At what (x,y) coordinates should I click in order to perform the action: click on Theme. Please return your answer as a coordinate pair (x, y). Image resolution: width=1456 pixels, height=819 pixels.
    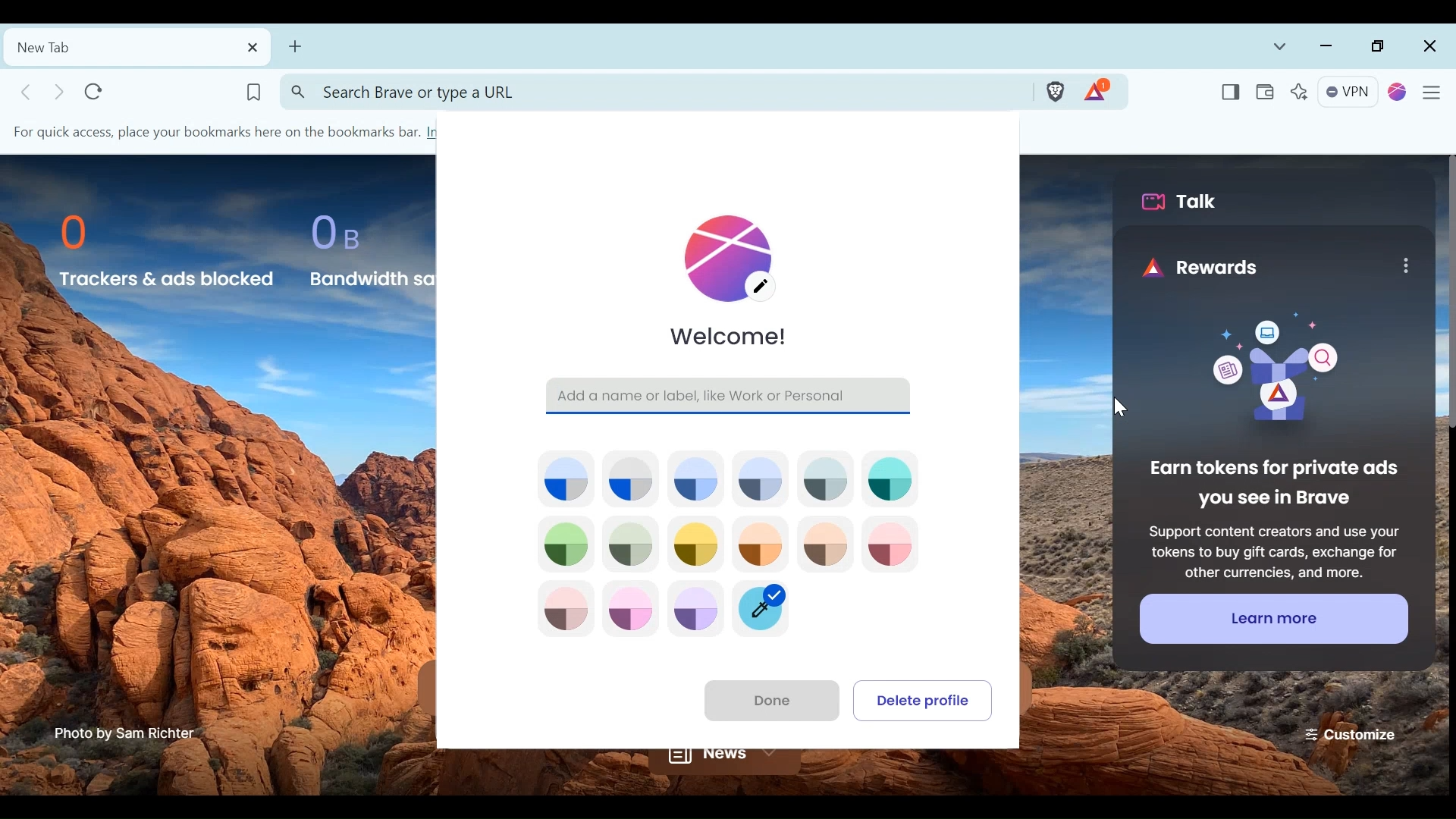
    Looking at the image, I should click on (564, 610).